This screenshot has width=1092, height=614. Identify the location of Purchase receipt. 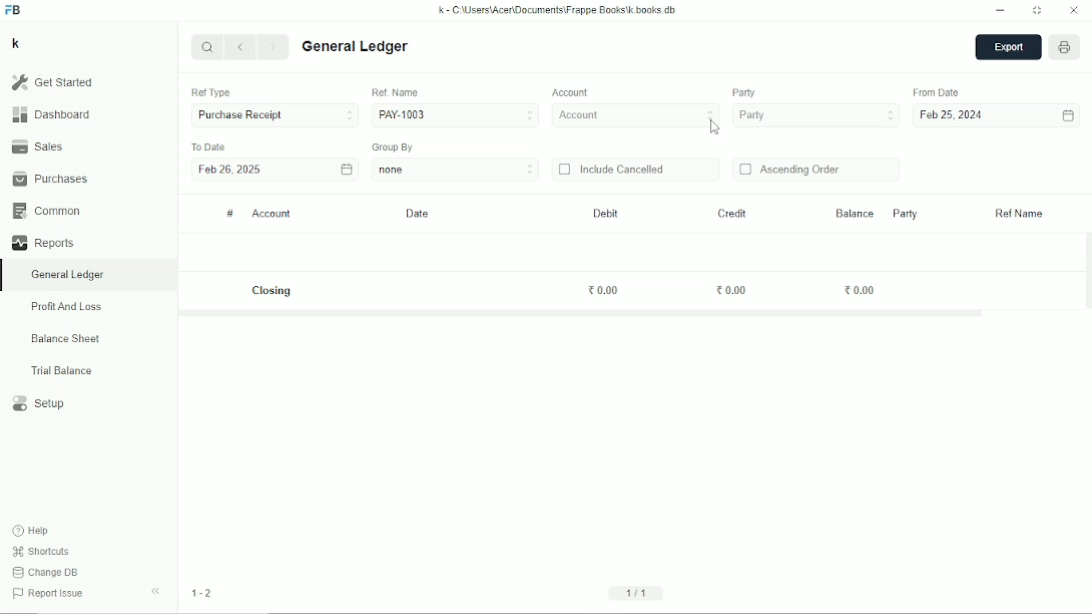
(274, 116).